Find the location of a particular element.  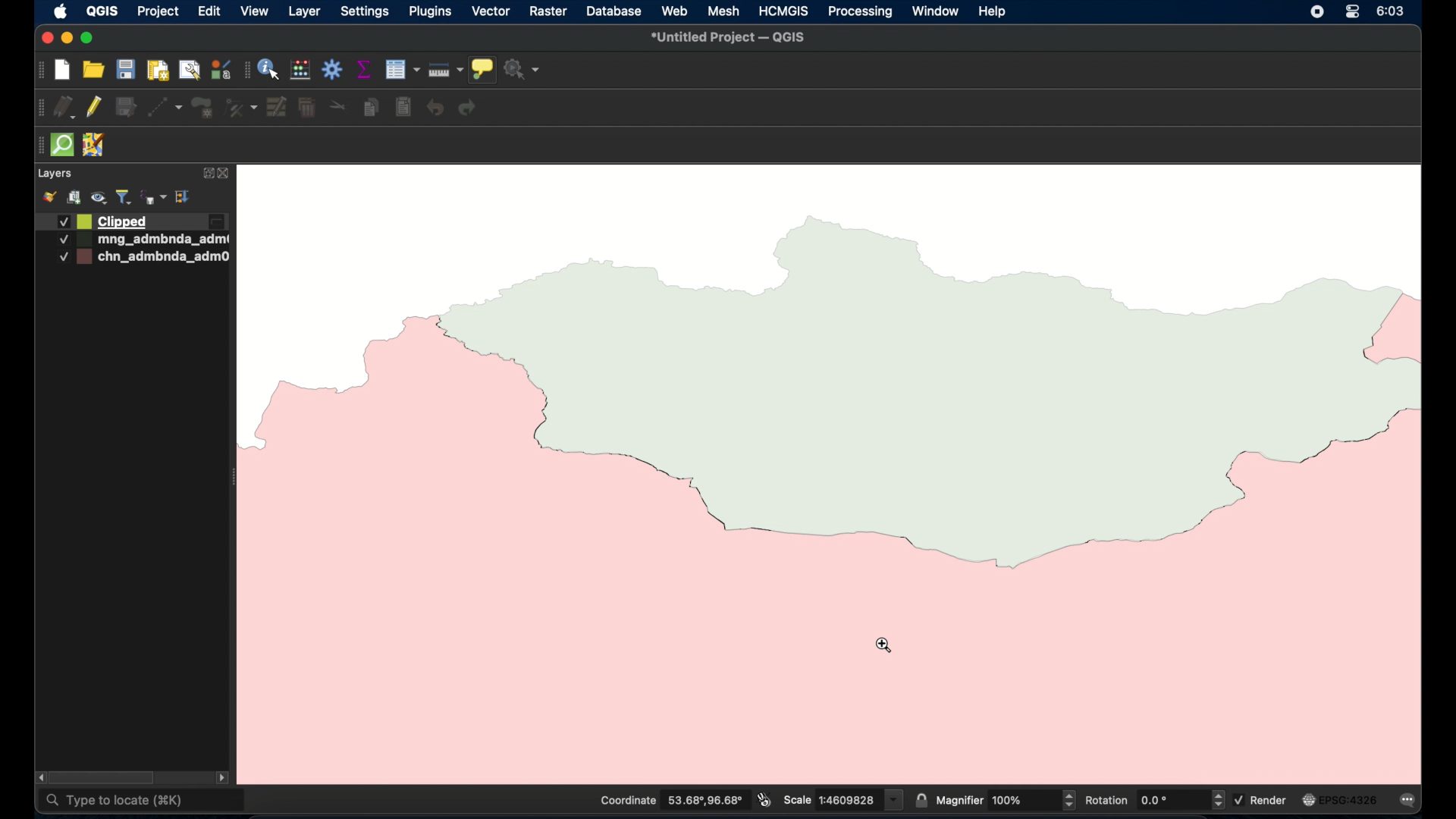

clipped boundary is located at coordinates (912, 441).